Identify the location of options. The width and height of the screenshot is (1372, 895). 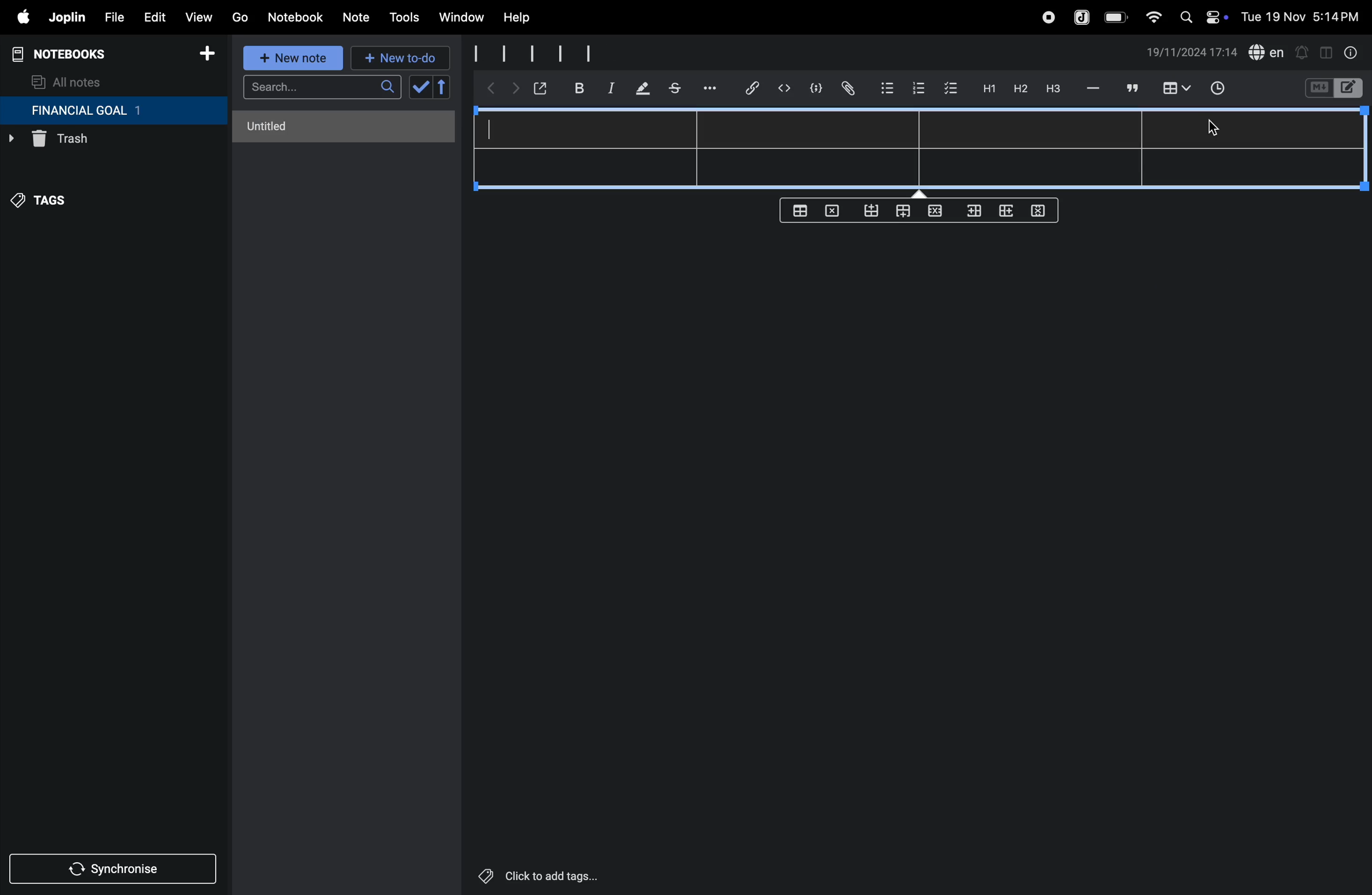
(712, 88).